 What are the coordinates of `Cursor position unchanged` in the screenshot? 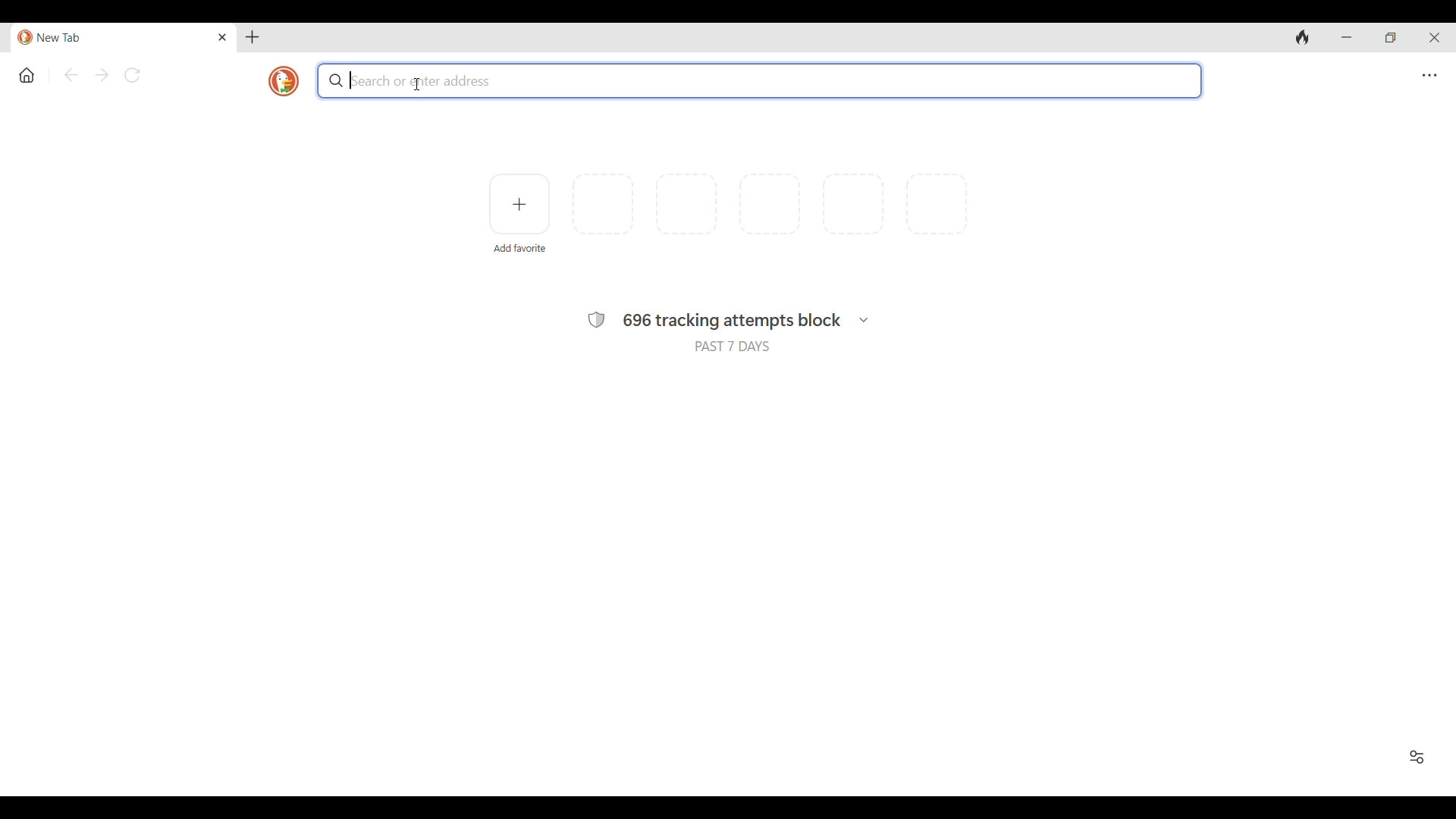 It's located at (417, 84).